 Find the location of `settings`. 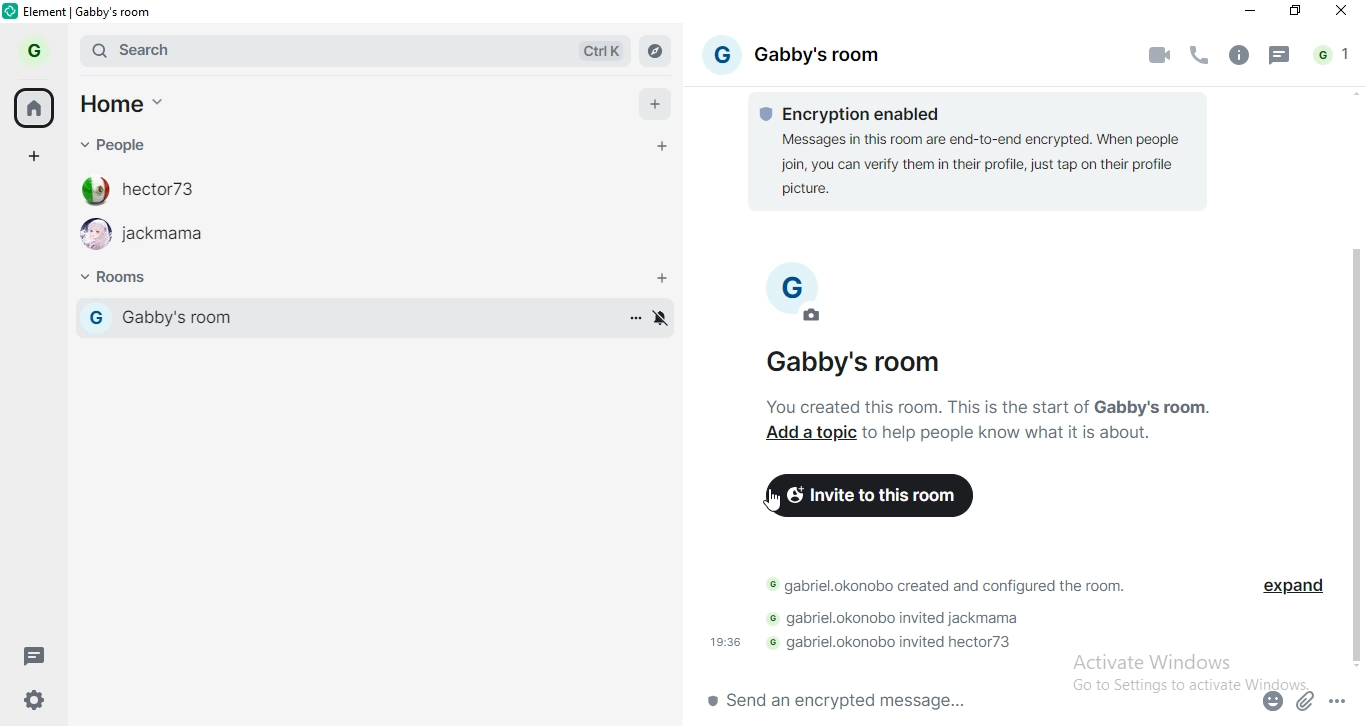

settings is located at coordinates (34, 701).